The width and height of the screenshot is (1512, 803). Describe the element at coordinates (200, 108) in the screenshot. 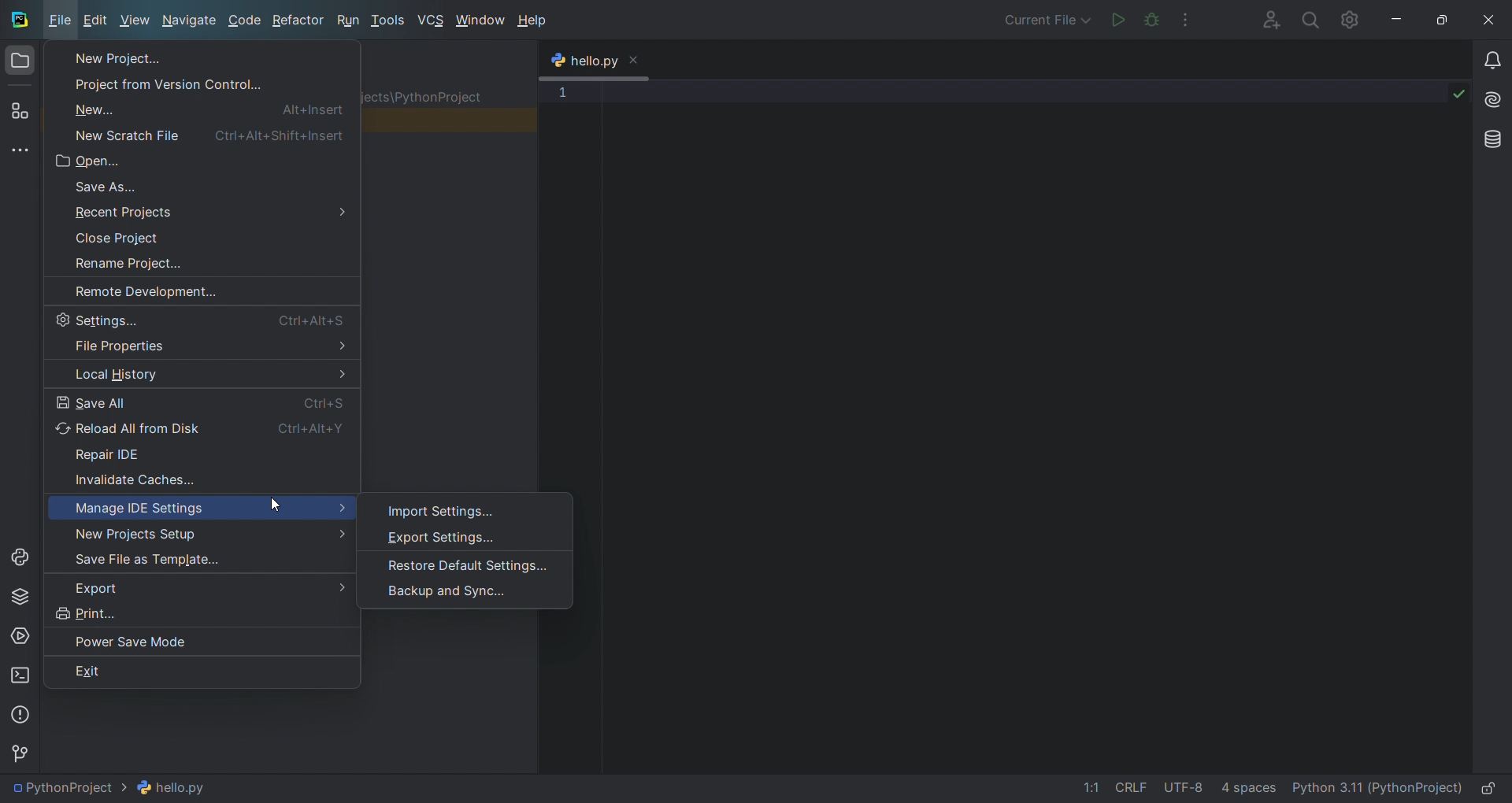

I see `new` at that location.